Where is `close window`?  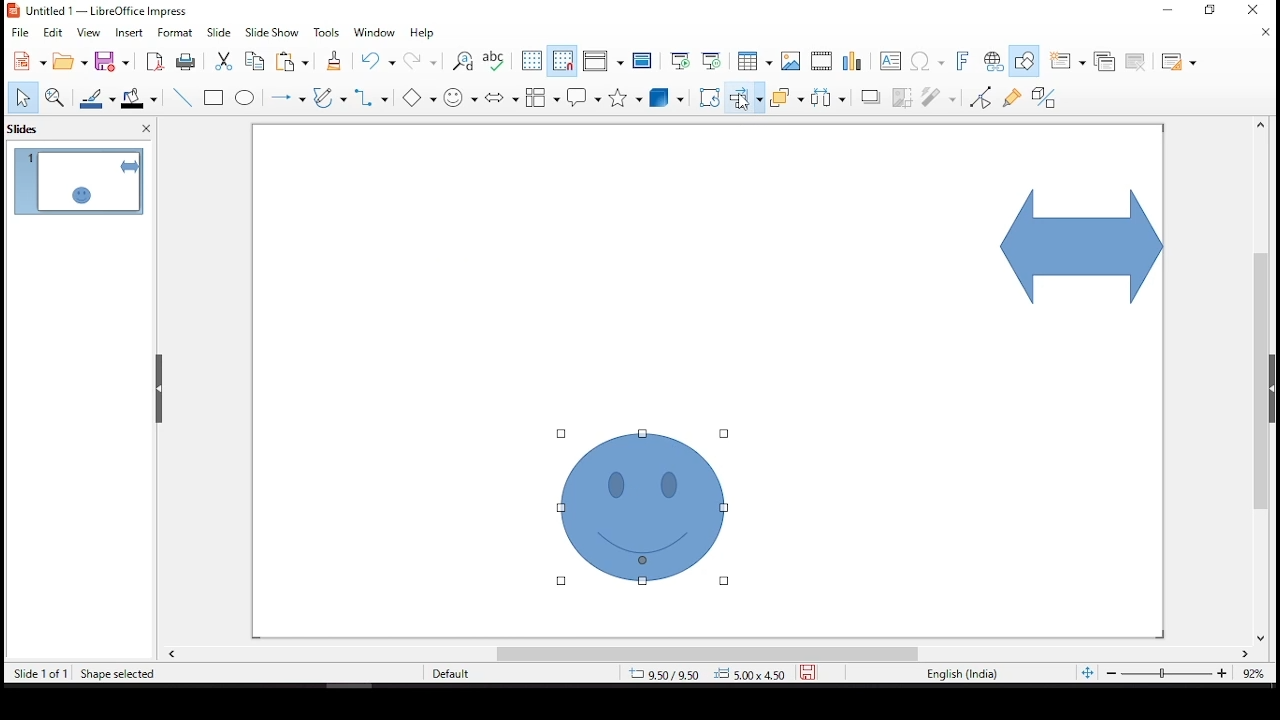
close window is located at coordinates (1257, 9).